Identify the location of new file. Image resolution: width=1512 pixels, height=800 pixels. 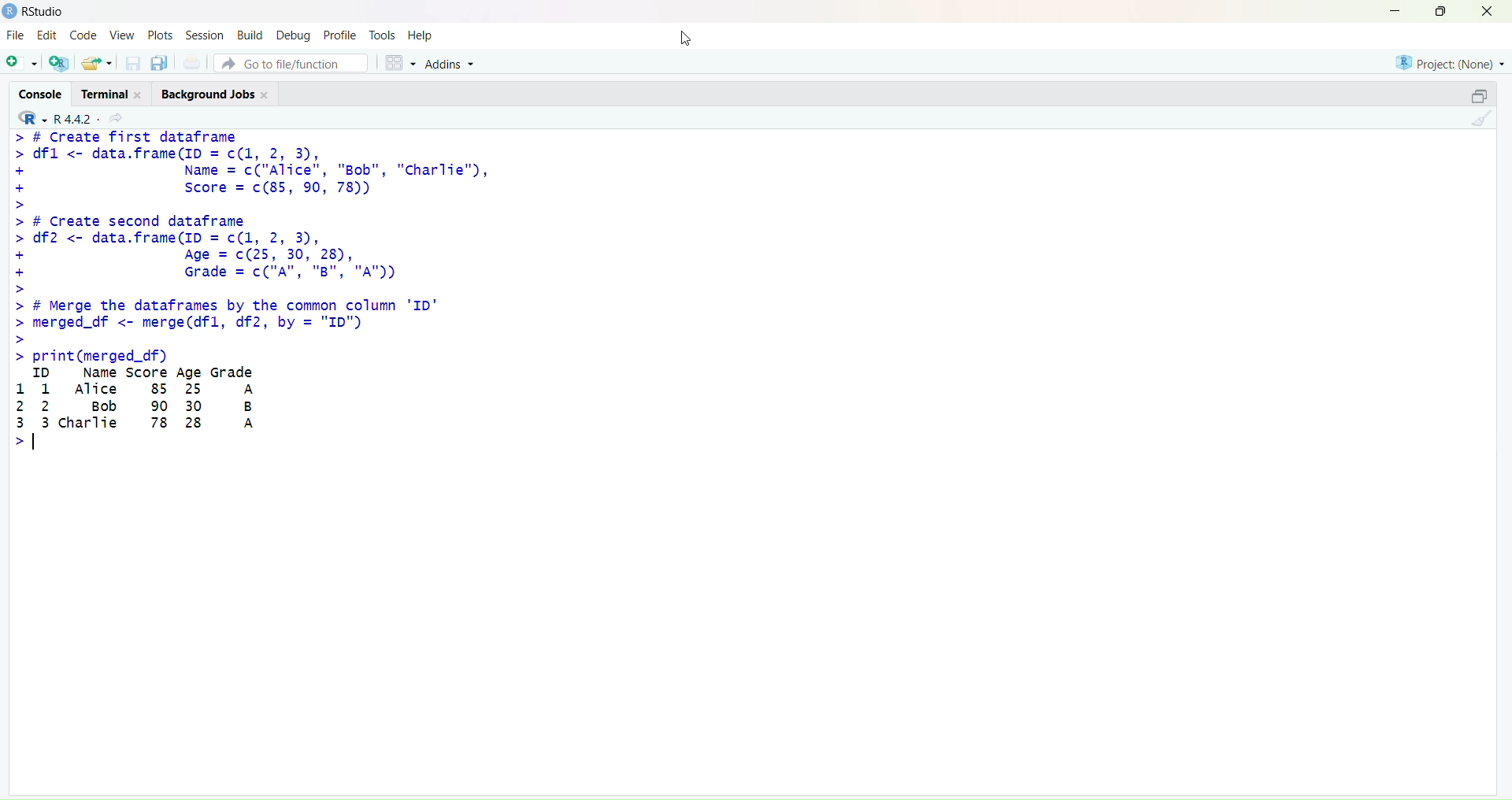
(20, 61).